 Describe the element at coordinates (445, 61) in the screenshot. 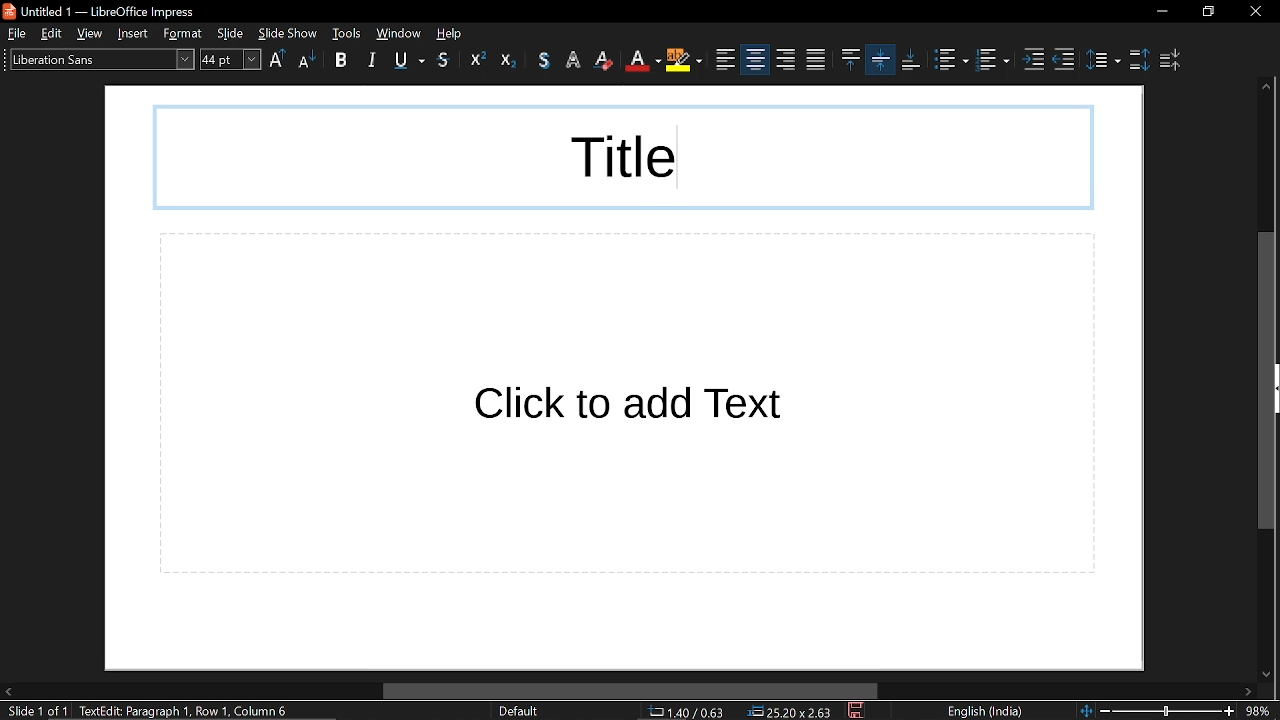

I see `shadow` at that location.